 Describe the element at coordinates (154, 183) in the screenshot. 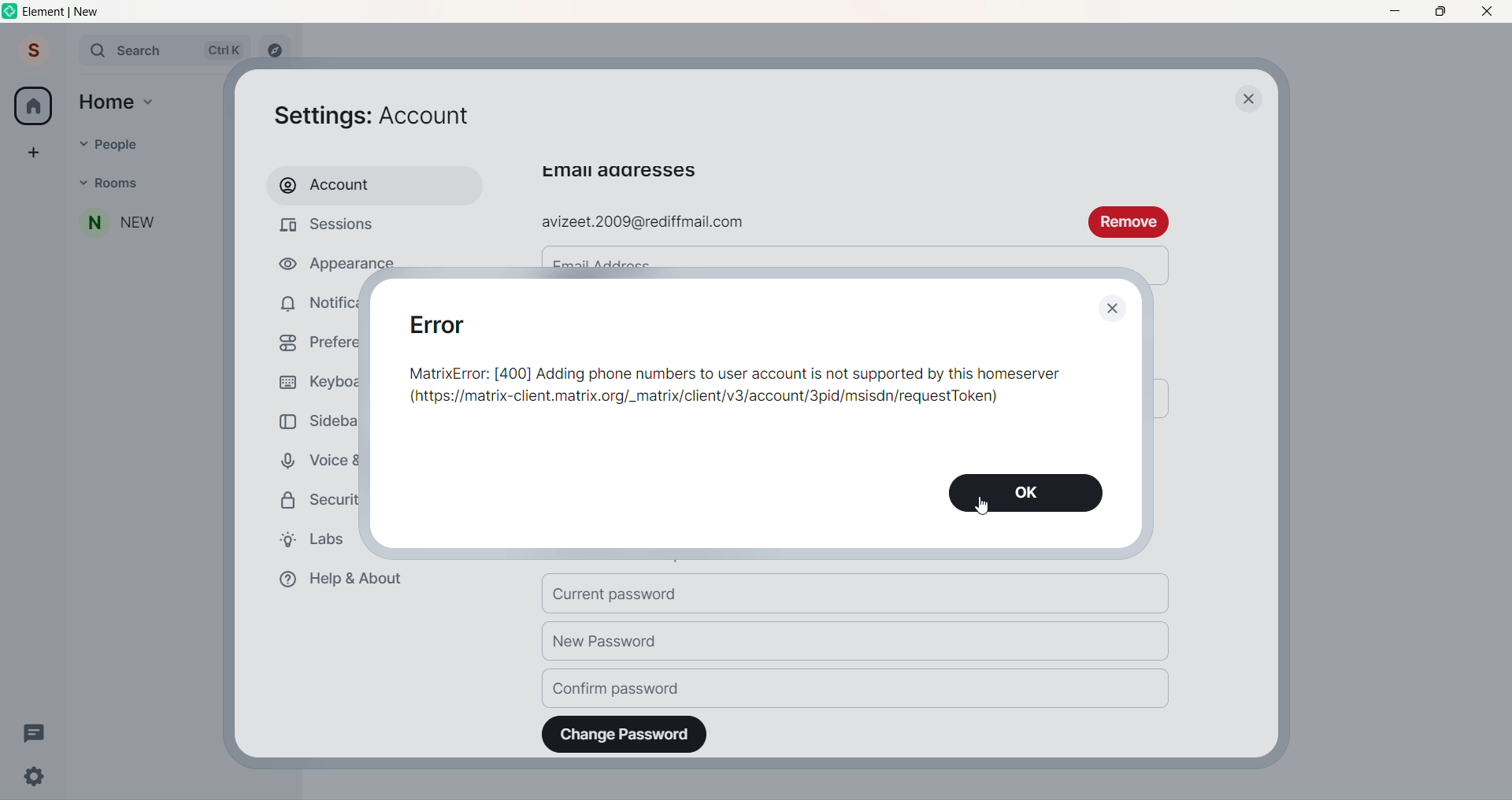

I see `Rooms` at that location.